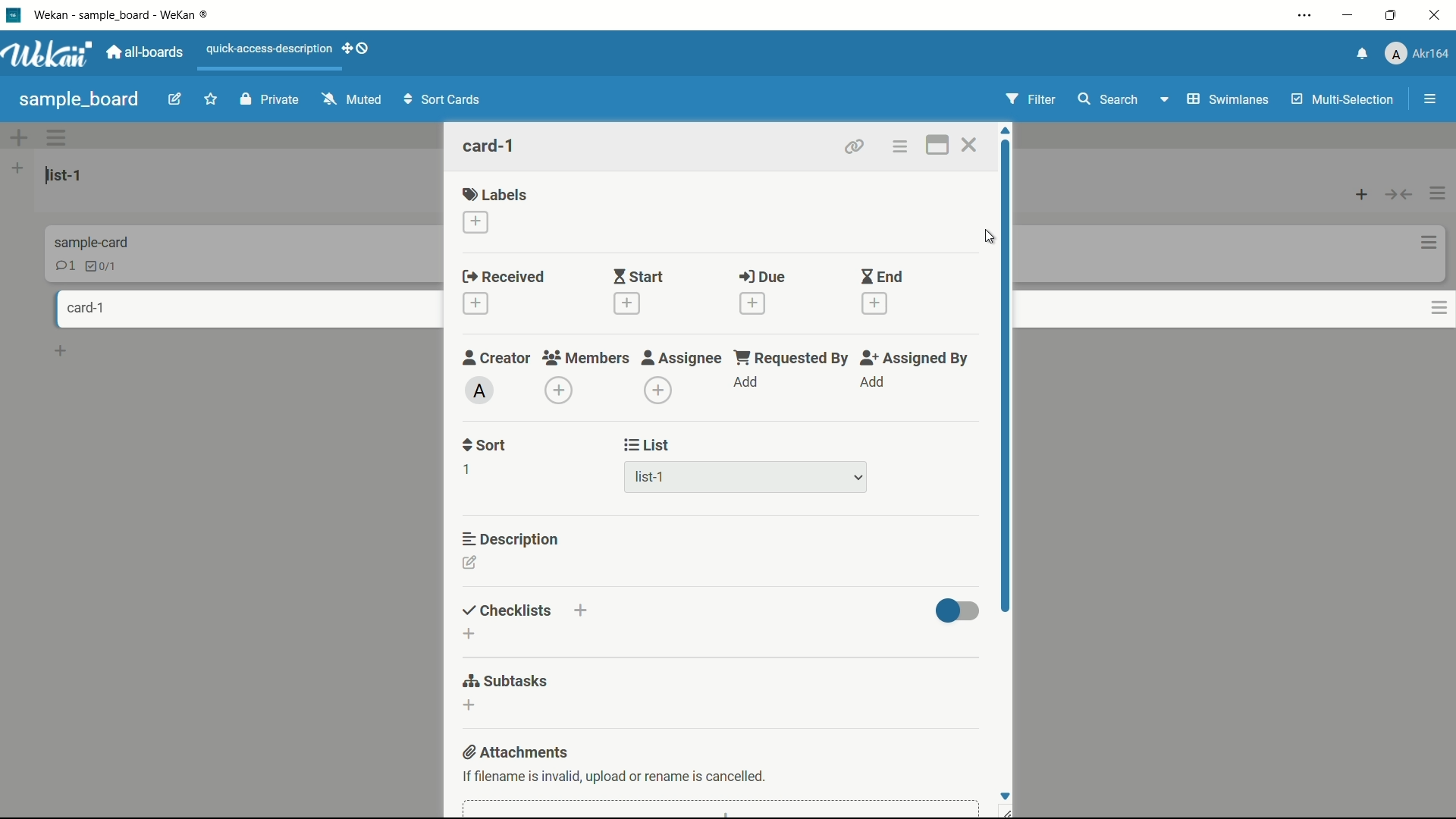  Describe the element at coordinates (1420, 53) in the screenshot. I see `Akr164` at that location.